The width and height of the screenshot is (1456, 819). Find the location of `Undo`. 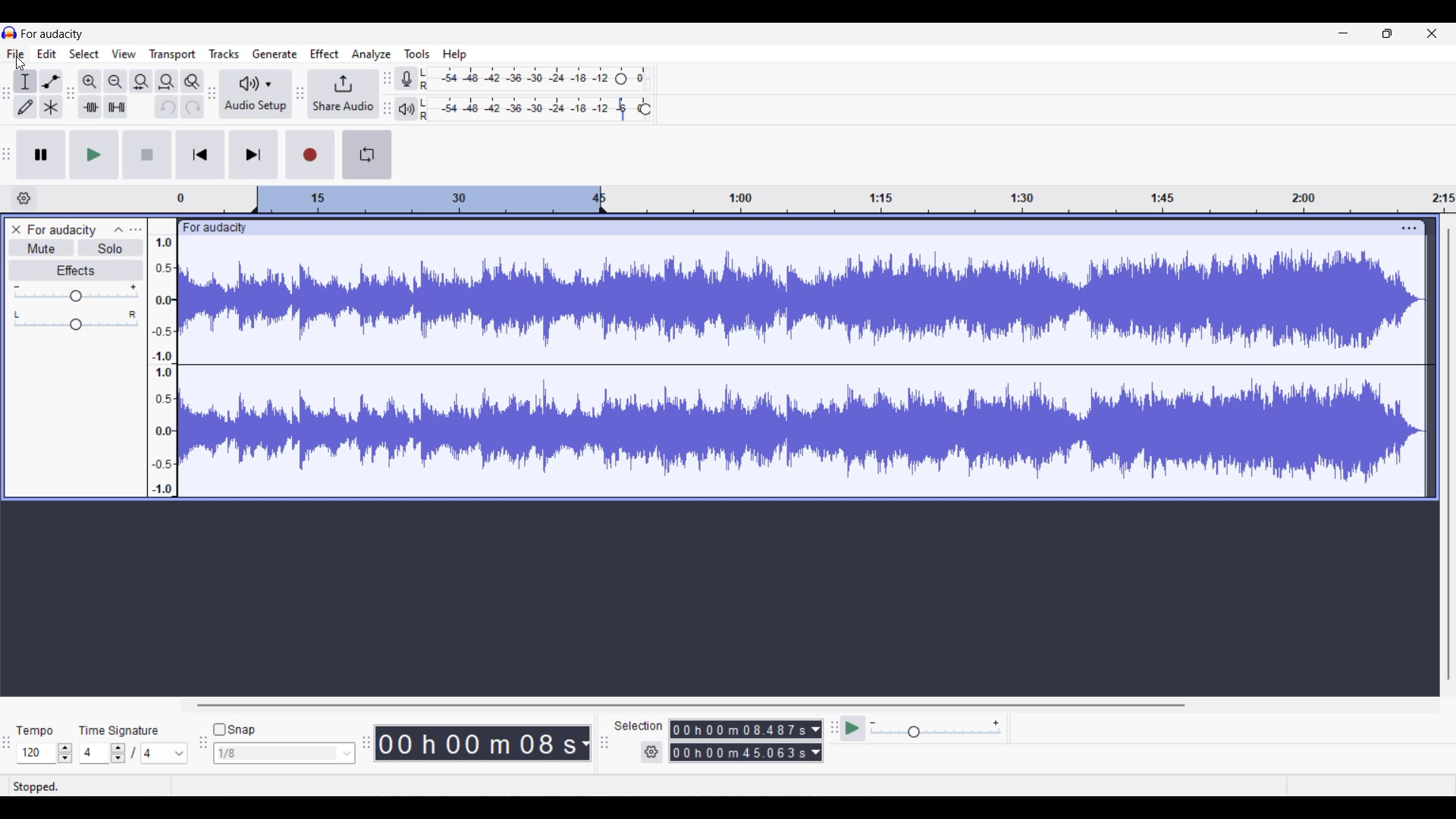

Undo is located at coordinates (167, 107).